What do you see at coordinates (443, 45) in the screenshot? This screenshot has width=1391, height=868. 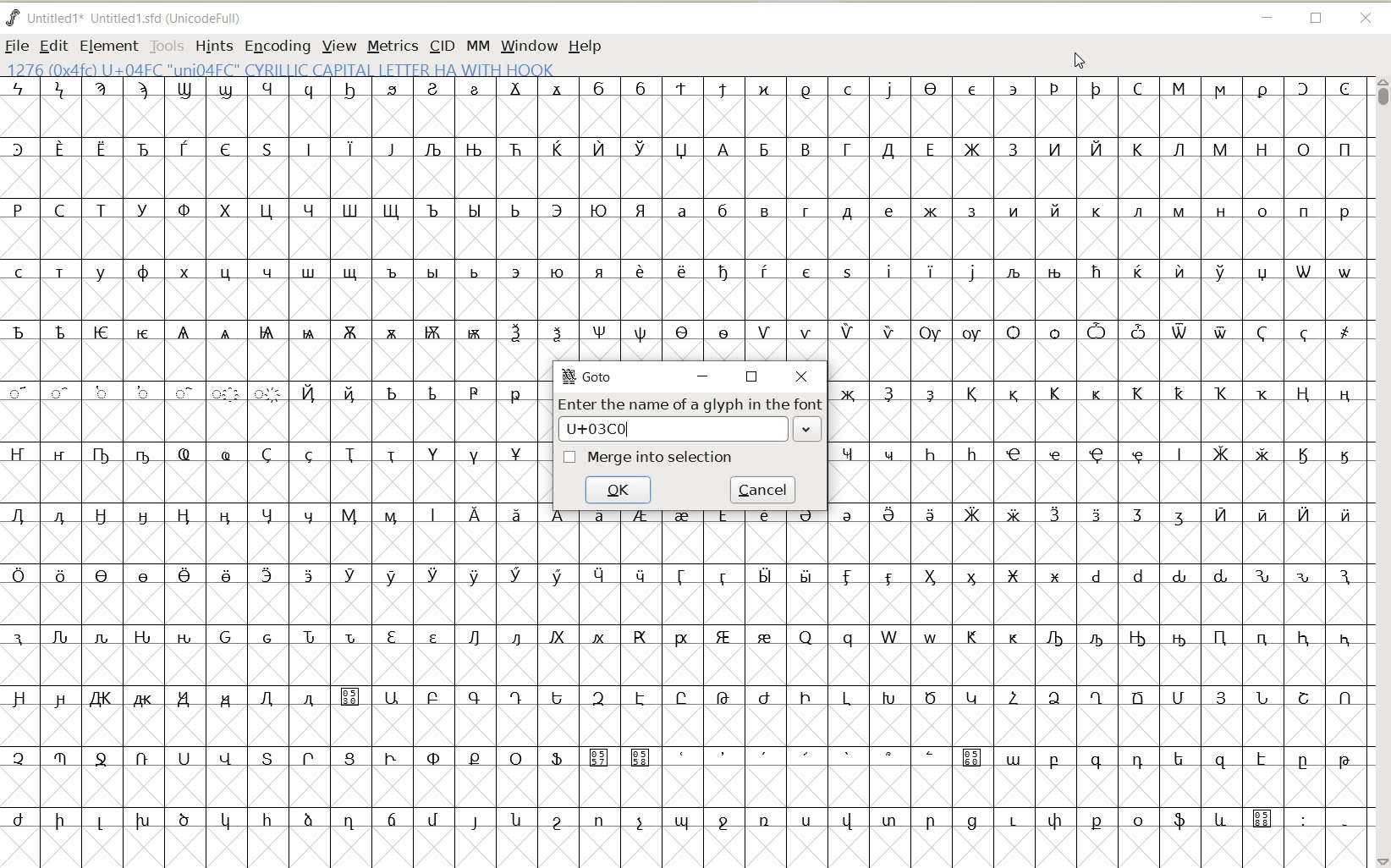 I see `CID` at bounding box center [443, 45].